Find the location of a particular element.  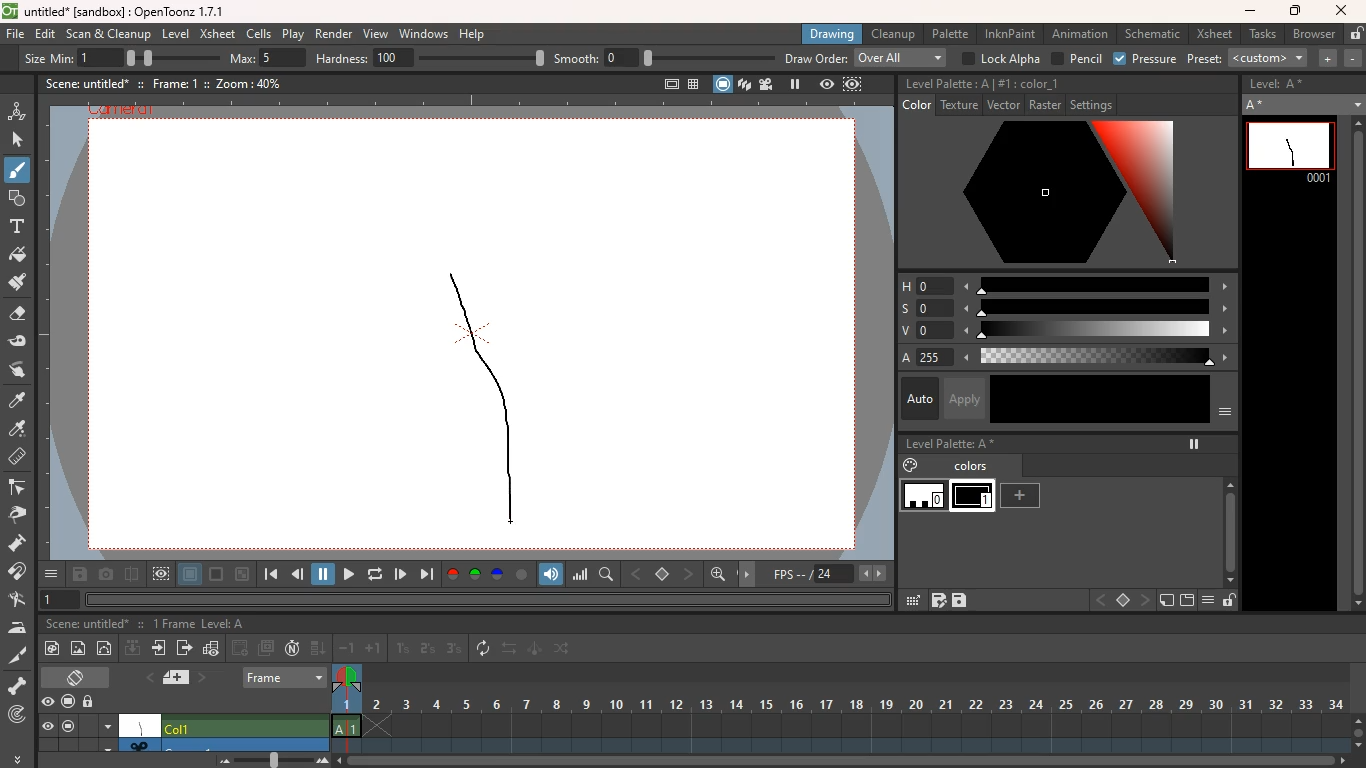

scroll bar is located at coordinates (1355, 365).